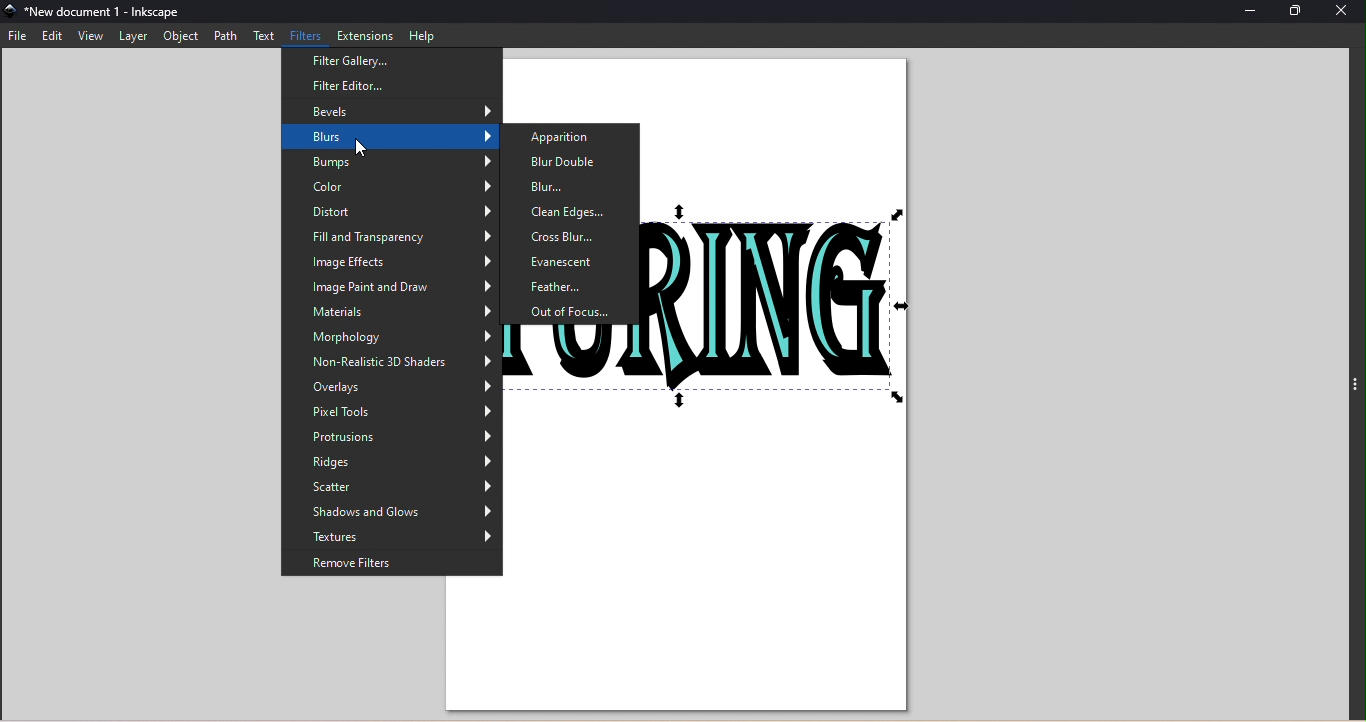 The image size is (1366, 722). Describe the element at coordinates (386, 61) in the screenshot. I see `Filter gallery` at that location.